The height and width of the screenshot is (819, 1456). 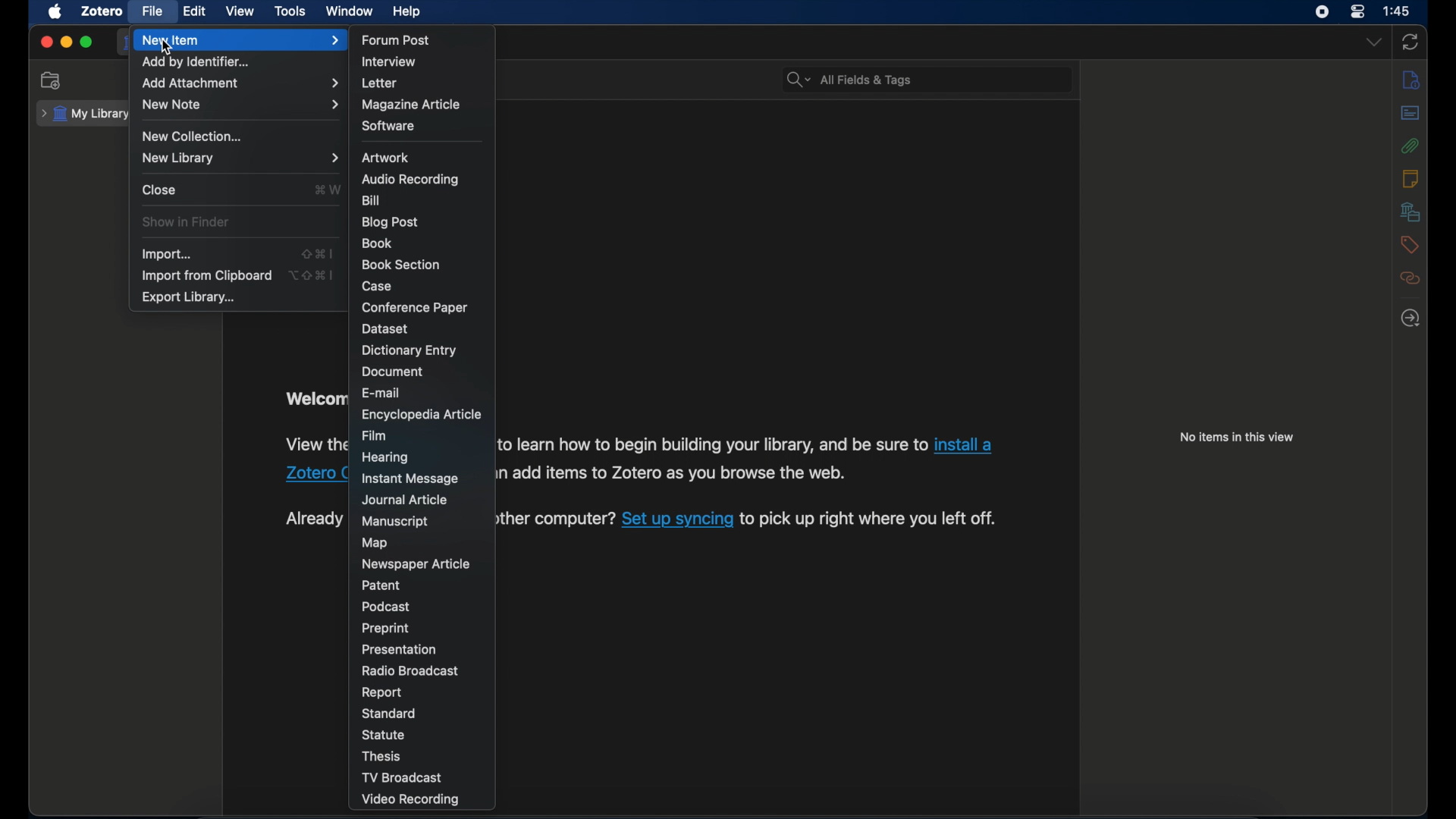 What do you see at coordinates (415, 307) in the screenshot?
I see `conference paper` at bounding box center [415, 307].